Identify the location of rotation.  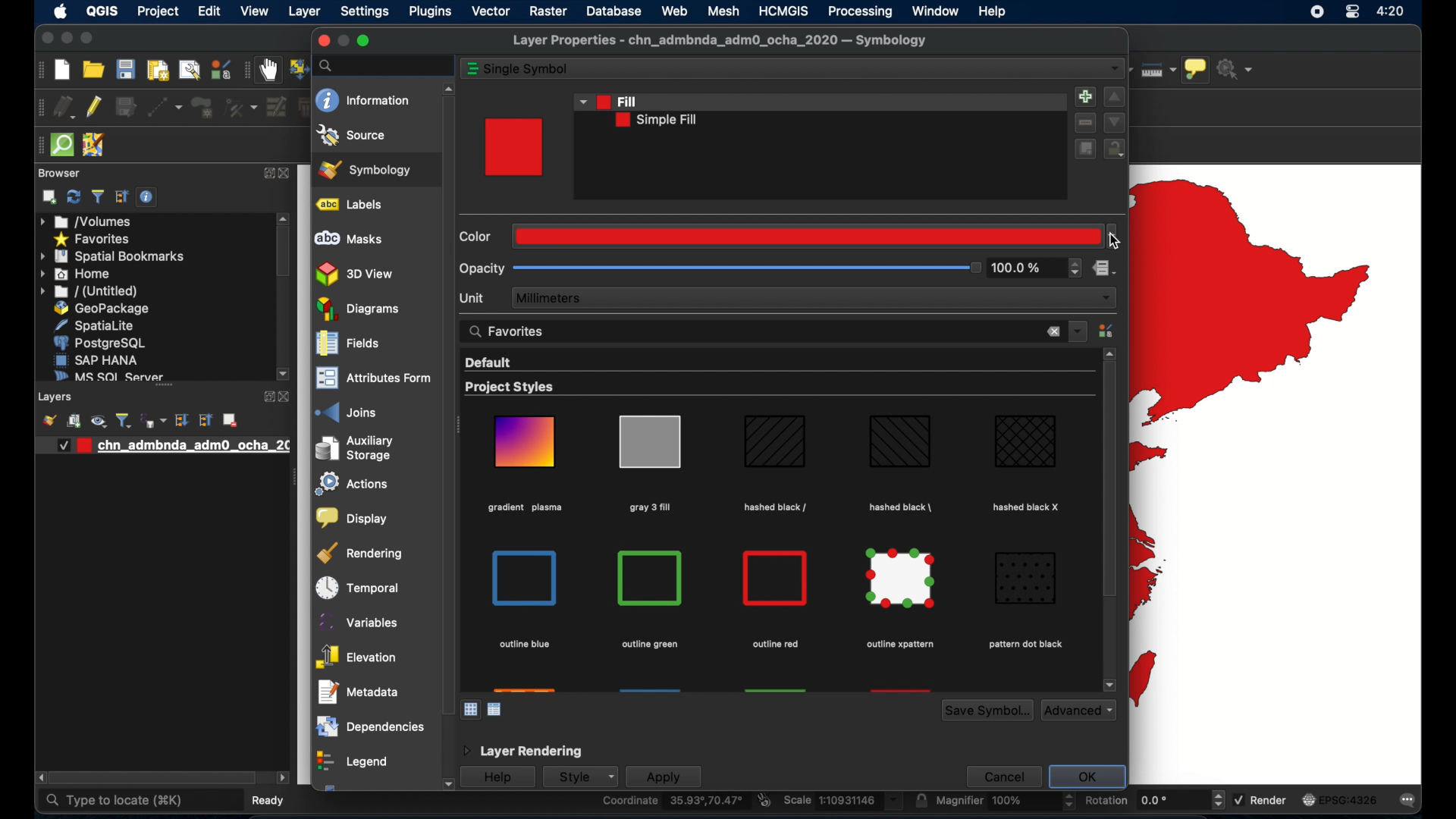
(1144, 802).